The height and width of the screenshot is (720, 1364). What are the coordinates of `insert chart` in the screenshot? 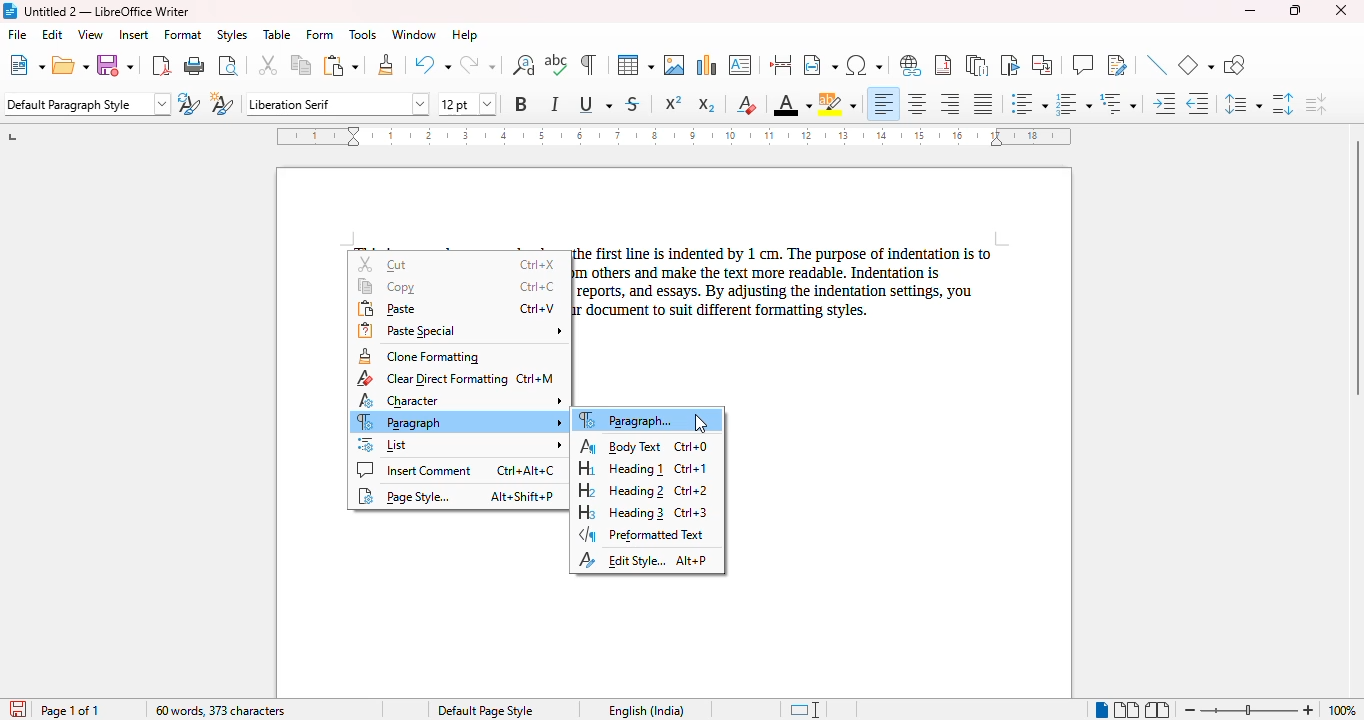 It's located at (708, 64).